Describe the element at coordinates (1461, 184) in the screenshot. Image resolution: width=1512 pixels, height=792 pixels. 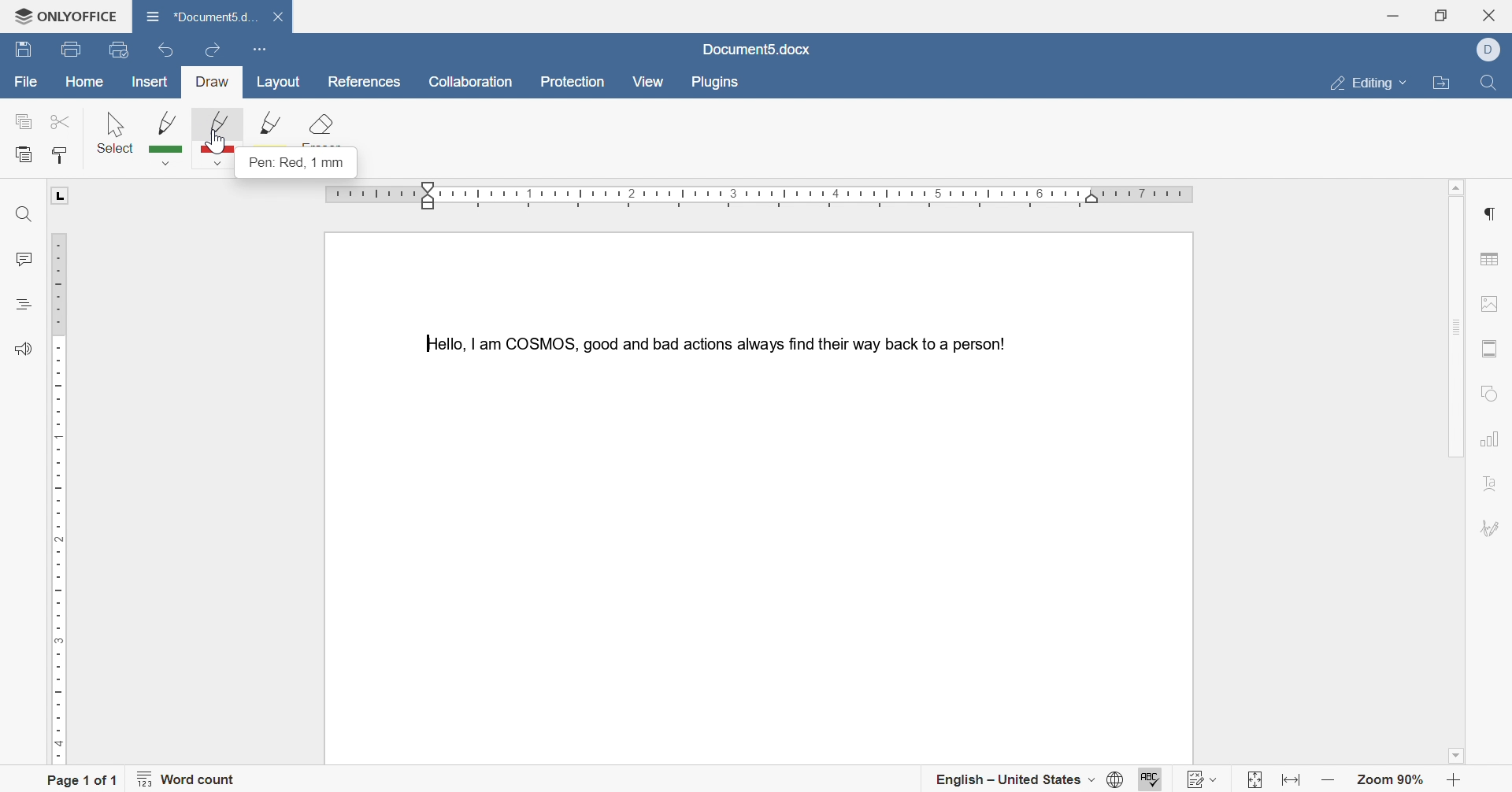
I see `scroll up` at that location.